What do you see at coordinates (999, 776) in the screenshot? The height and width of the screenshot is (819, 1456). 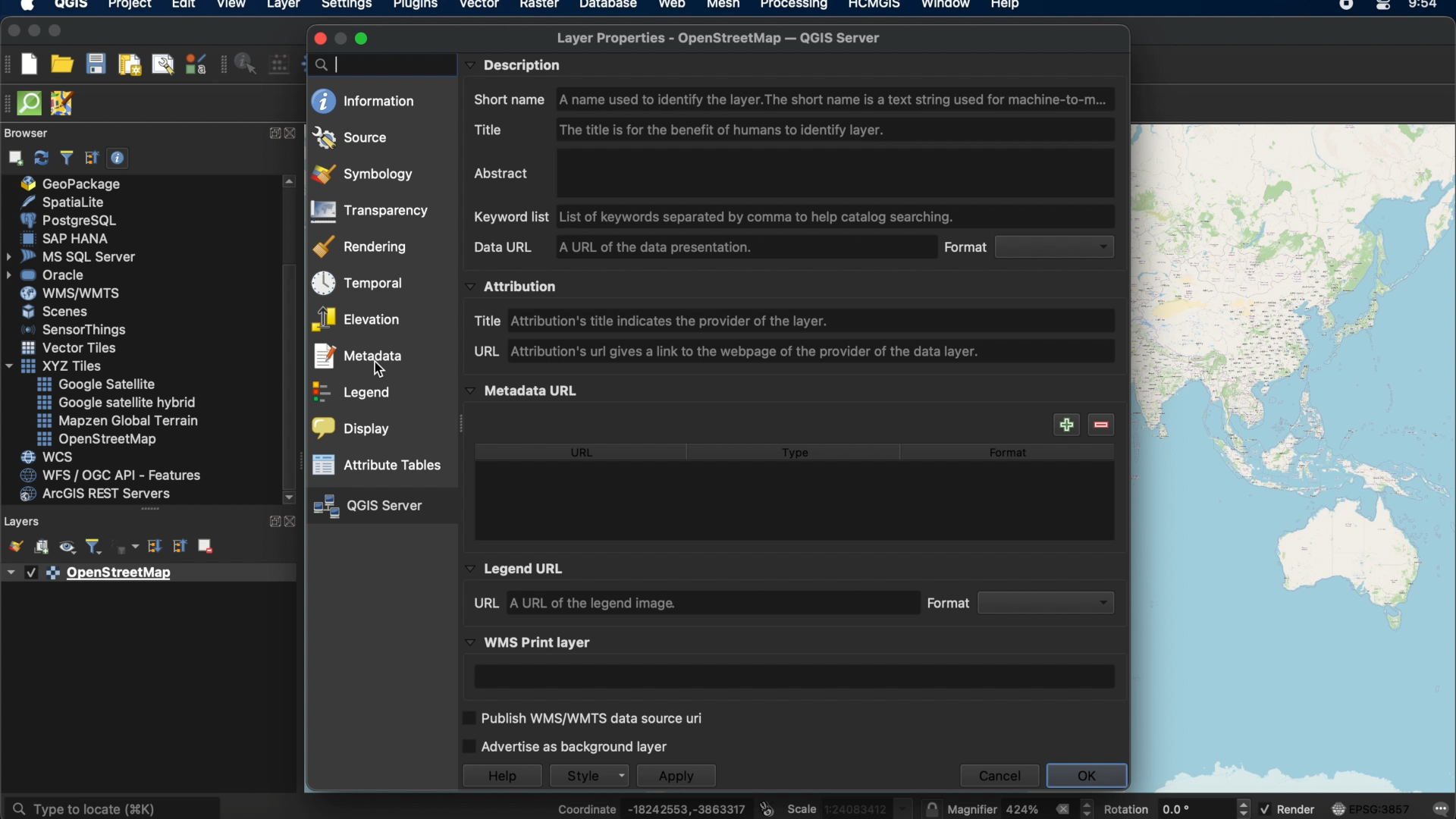 I see `cancel` at bounding box center [999, 776].